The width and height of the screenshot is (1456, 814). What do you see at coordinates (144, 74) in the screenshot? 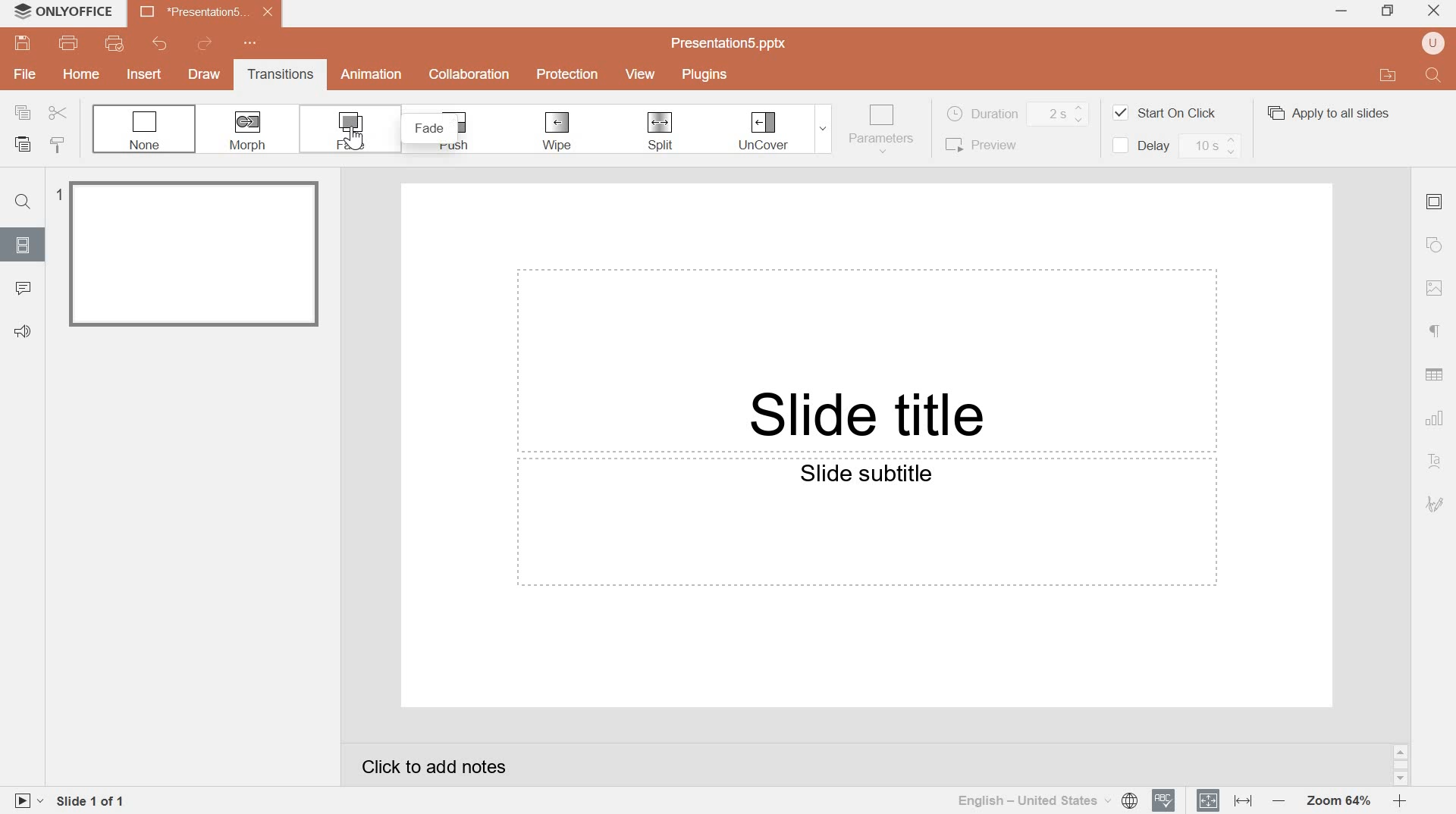
I see `Insert` at bounding box center [144, 74].